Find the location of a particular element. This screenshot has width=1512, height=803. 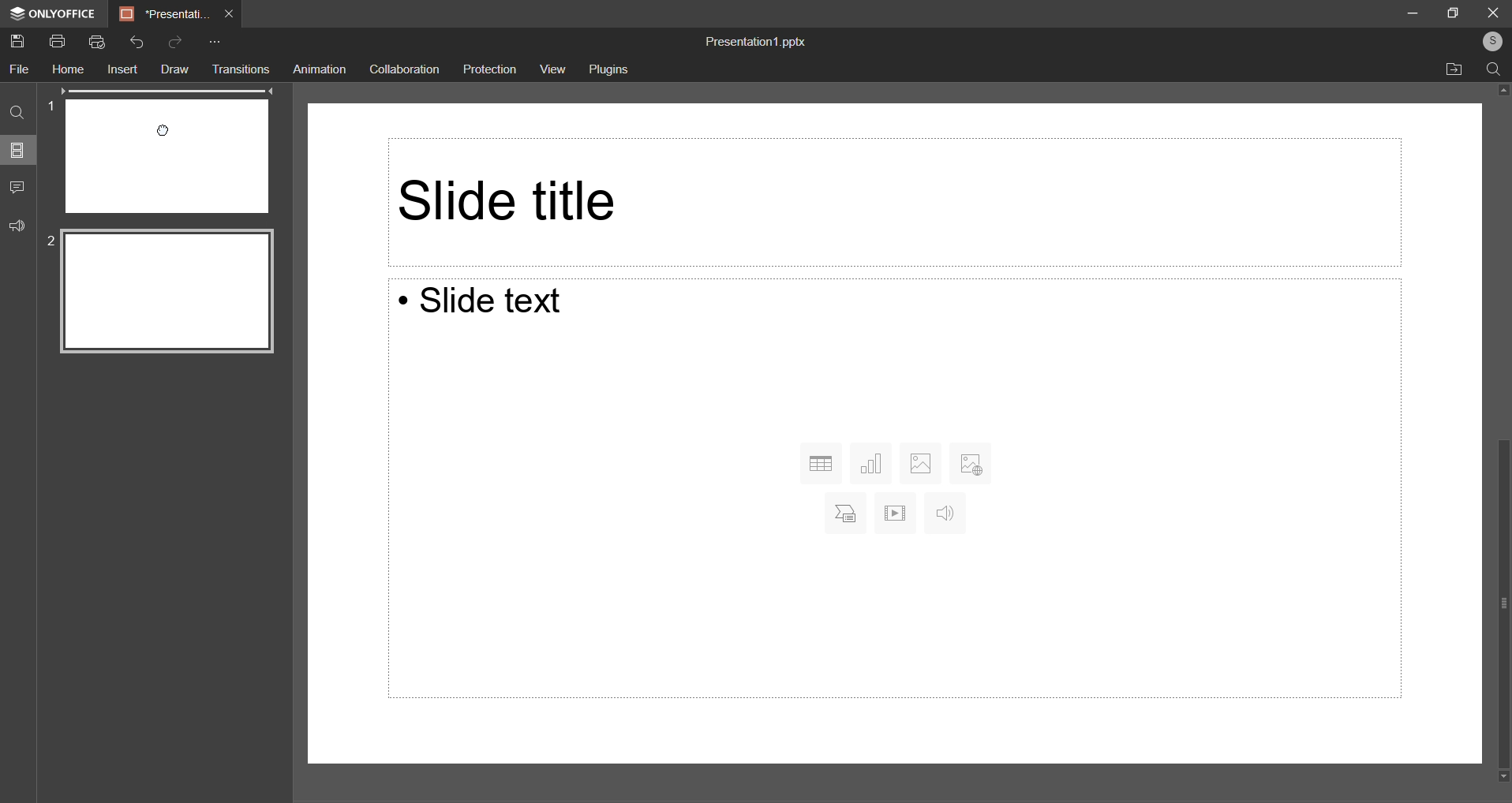

Maximize is located at coordinates (1454, 11).